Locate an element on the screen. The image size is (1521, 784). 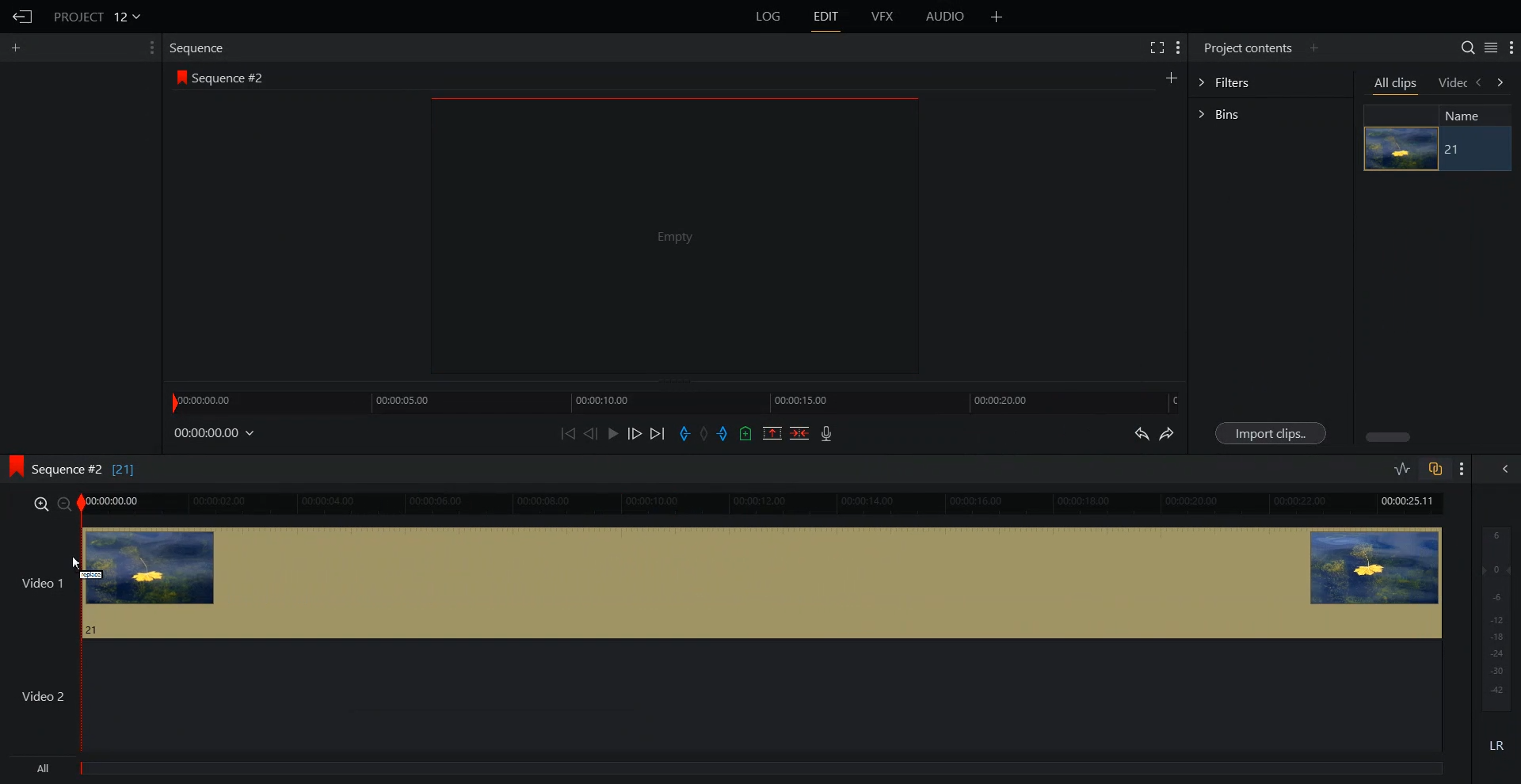
Delete/Cut is located at coordinates (800, 433).